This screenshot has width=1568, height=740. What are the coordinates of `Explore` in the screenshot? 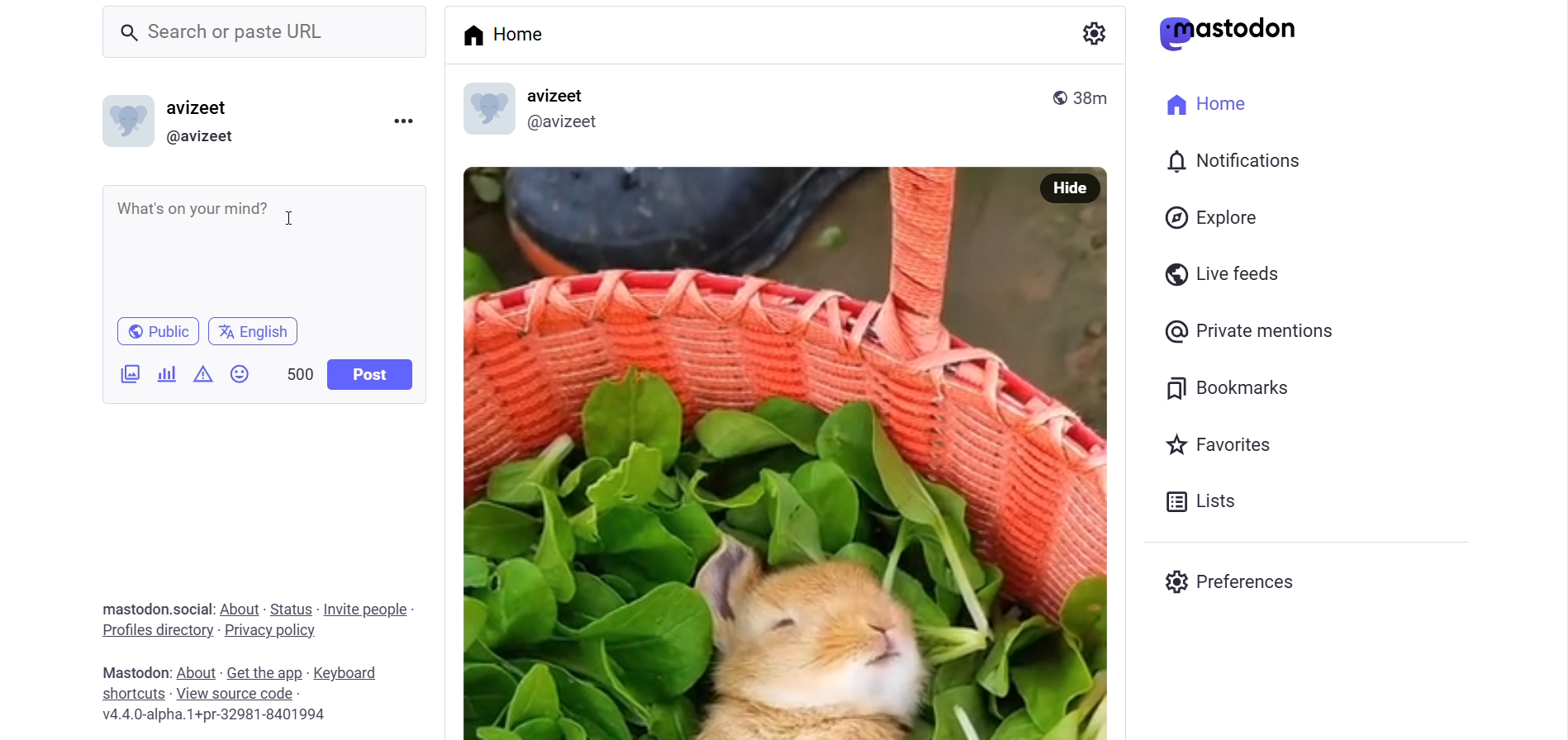 It's located at (1215, 219).